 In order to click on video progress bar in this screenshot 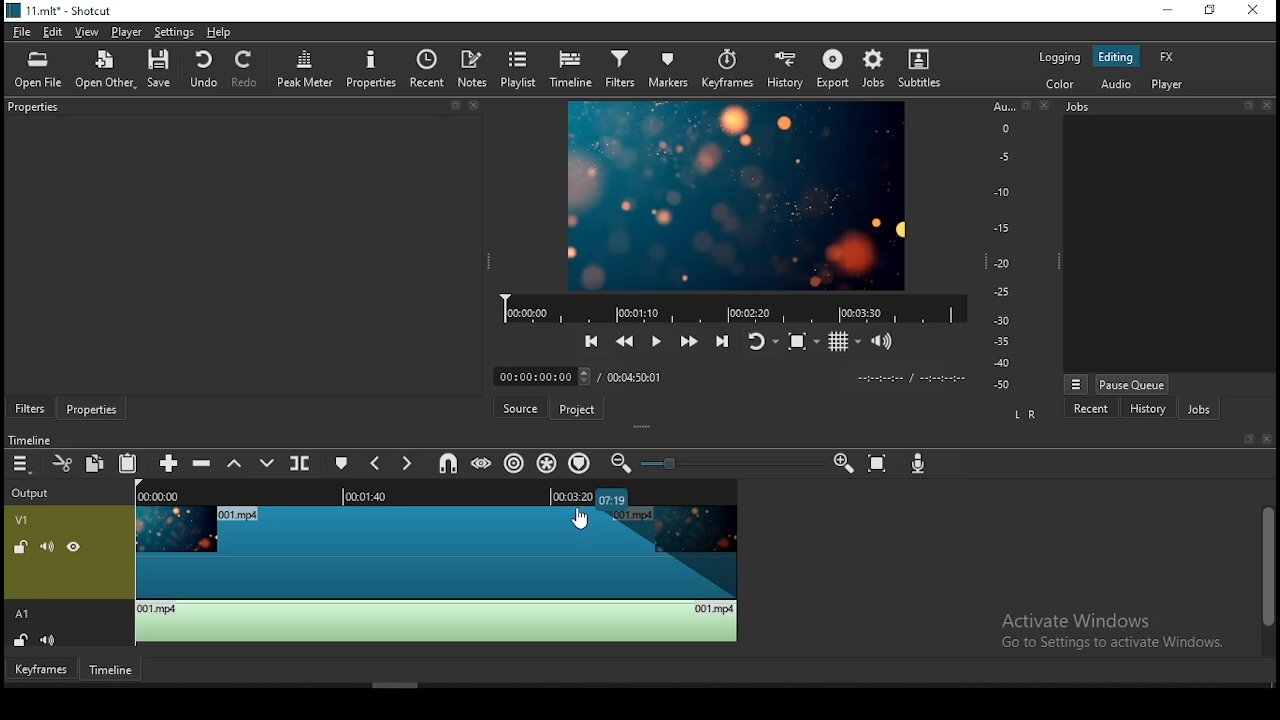, I will do `click(735, 309)`.